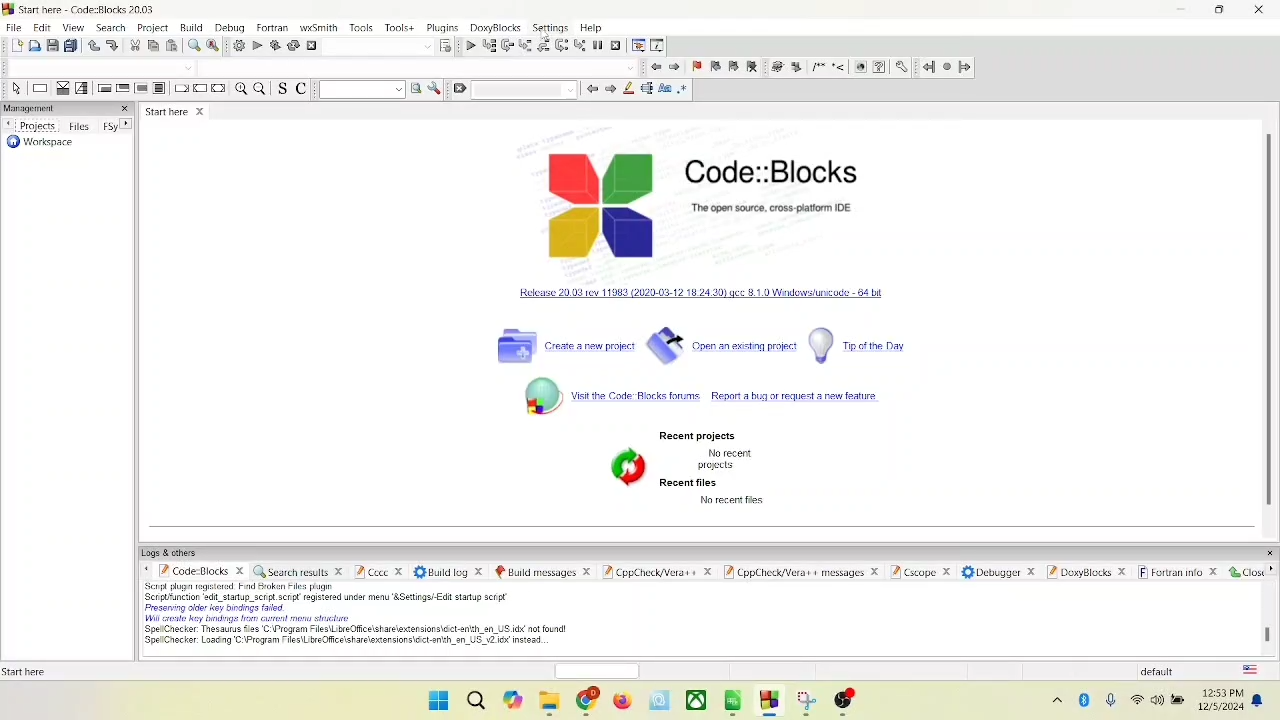 Image resolution: width=1280 pixels, height=720 pixels. Describe the element at coordinates (42, 26) in the screenshot. I see `edit` at that location.